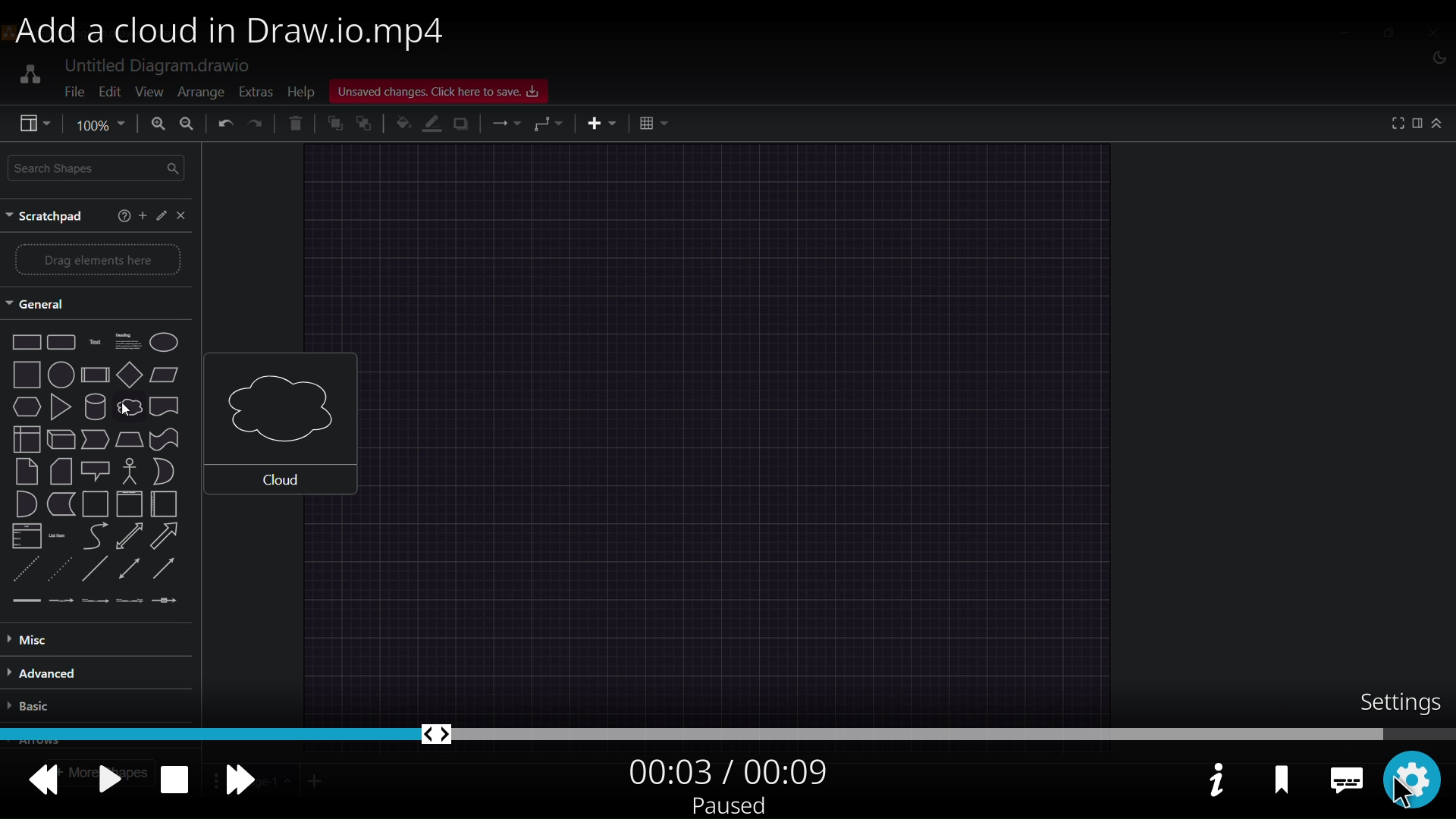 The image size is (1456, 819). What do you see at coordinates (1398, 701) in the screenshot?
I see `Settings` at bounding box center [1398, 701].